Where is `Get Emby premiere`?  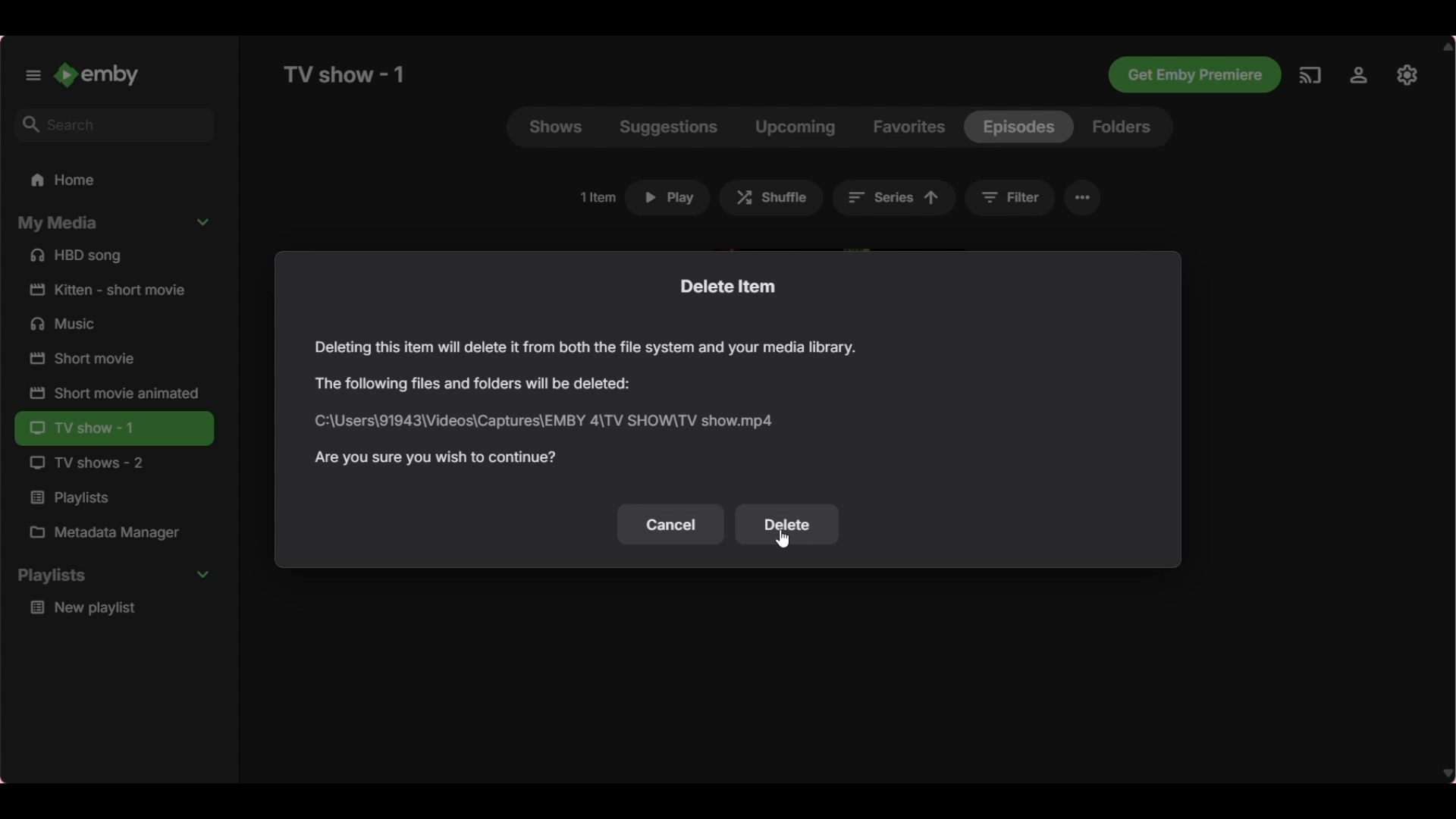 Get Emby premiere is located at coordinates (1194, 75).